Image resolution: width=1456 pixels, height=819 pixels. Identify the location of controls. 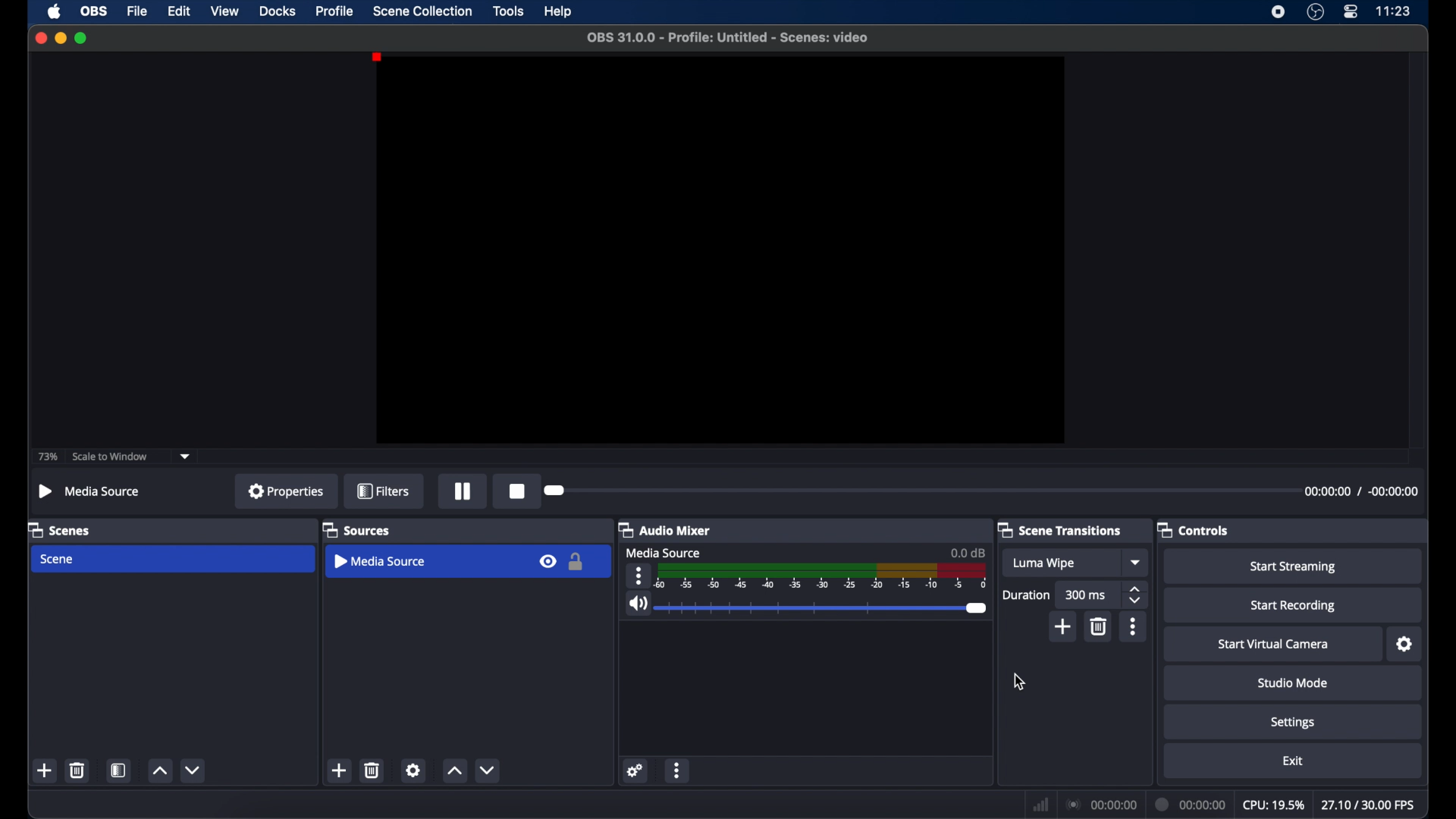
(1193, 529).